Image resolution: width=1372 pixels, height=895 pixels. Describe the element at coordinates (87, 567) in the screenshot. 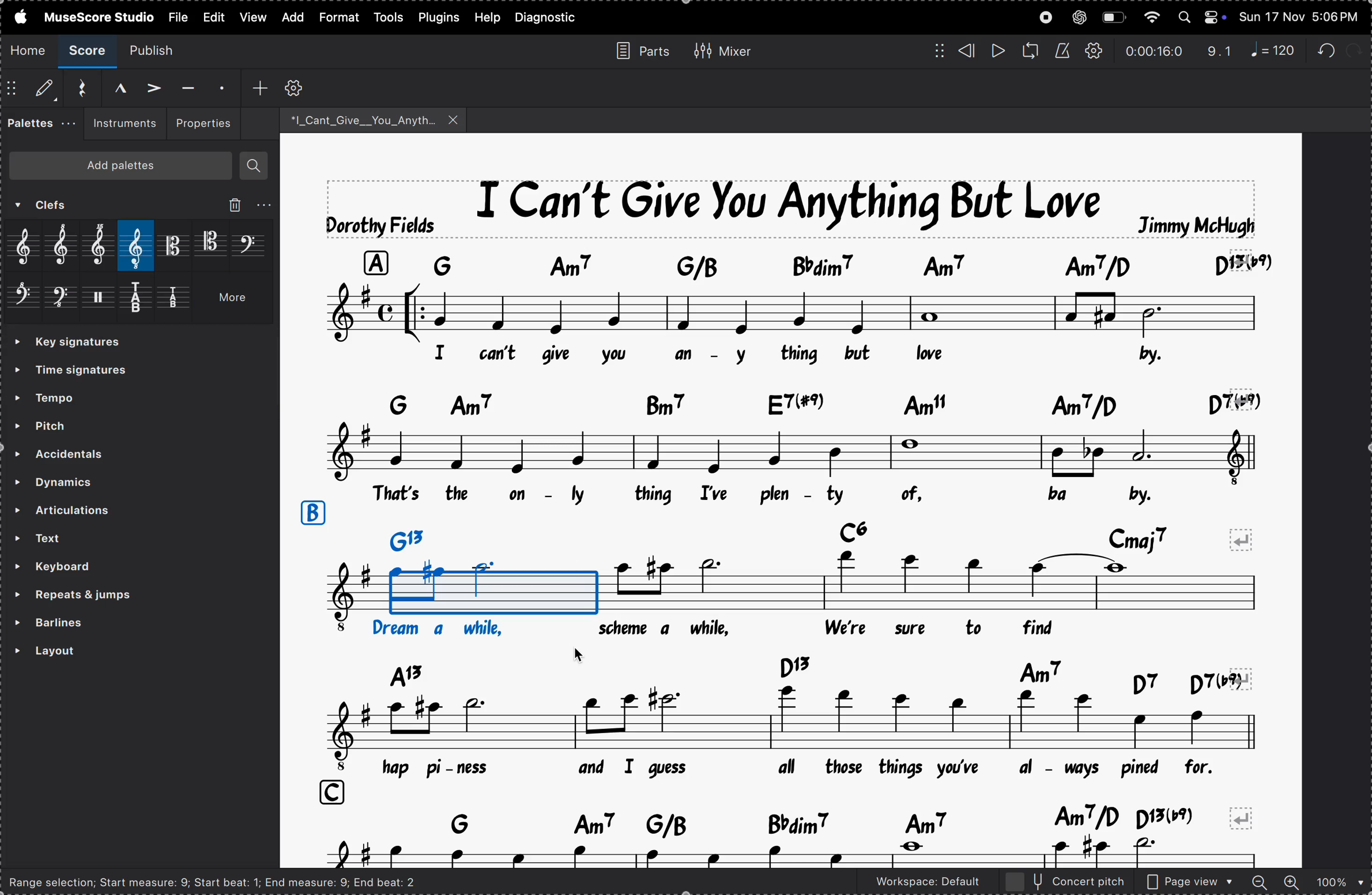

I see `keyboard` at that location.